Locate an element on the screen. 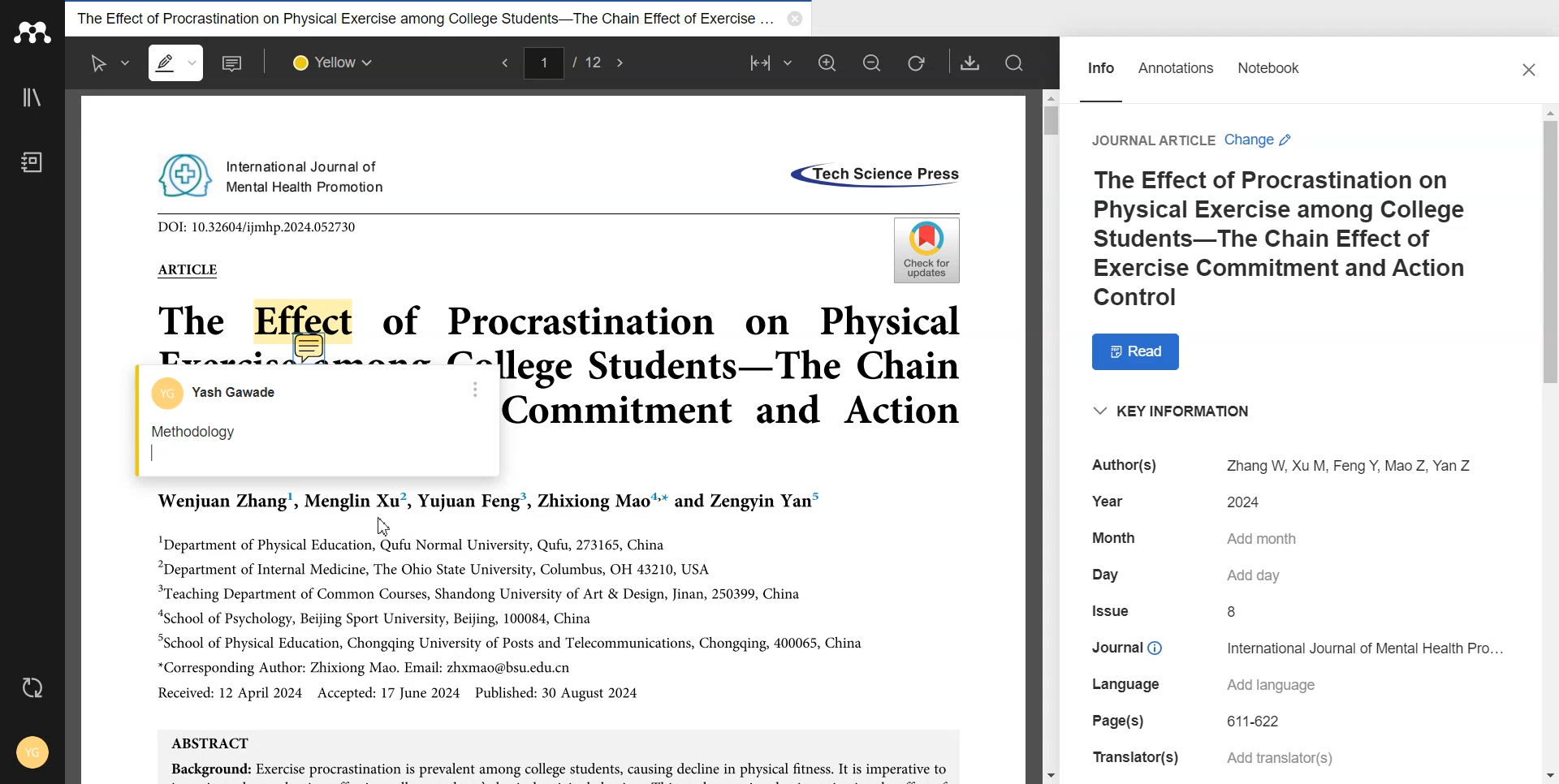  Zoom out is located at coordinates (871, 62).